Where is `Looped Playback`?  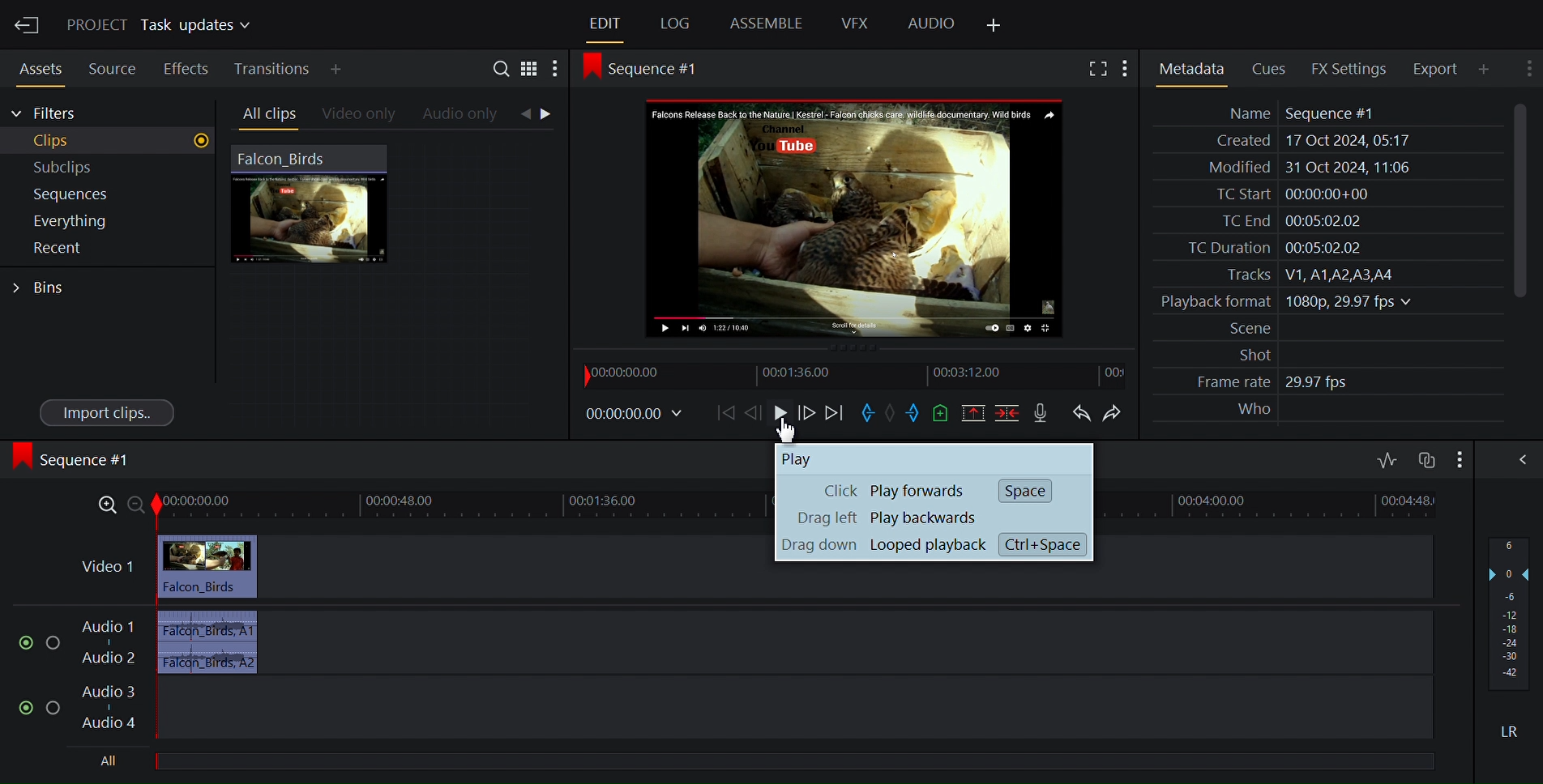 Looped Playback is located at coordinates (933, 545).